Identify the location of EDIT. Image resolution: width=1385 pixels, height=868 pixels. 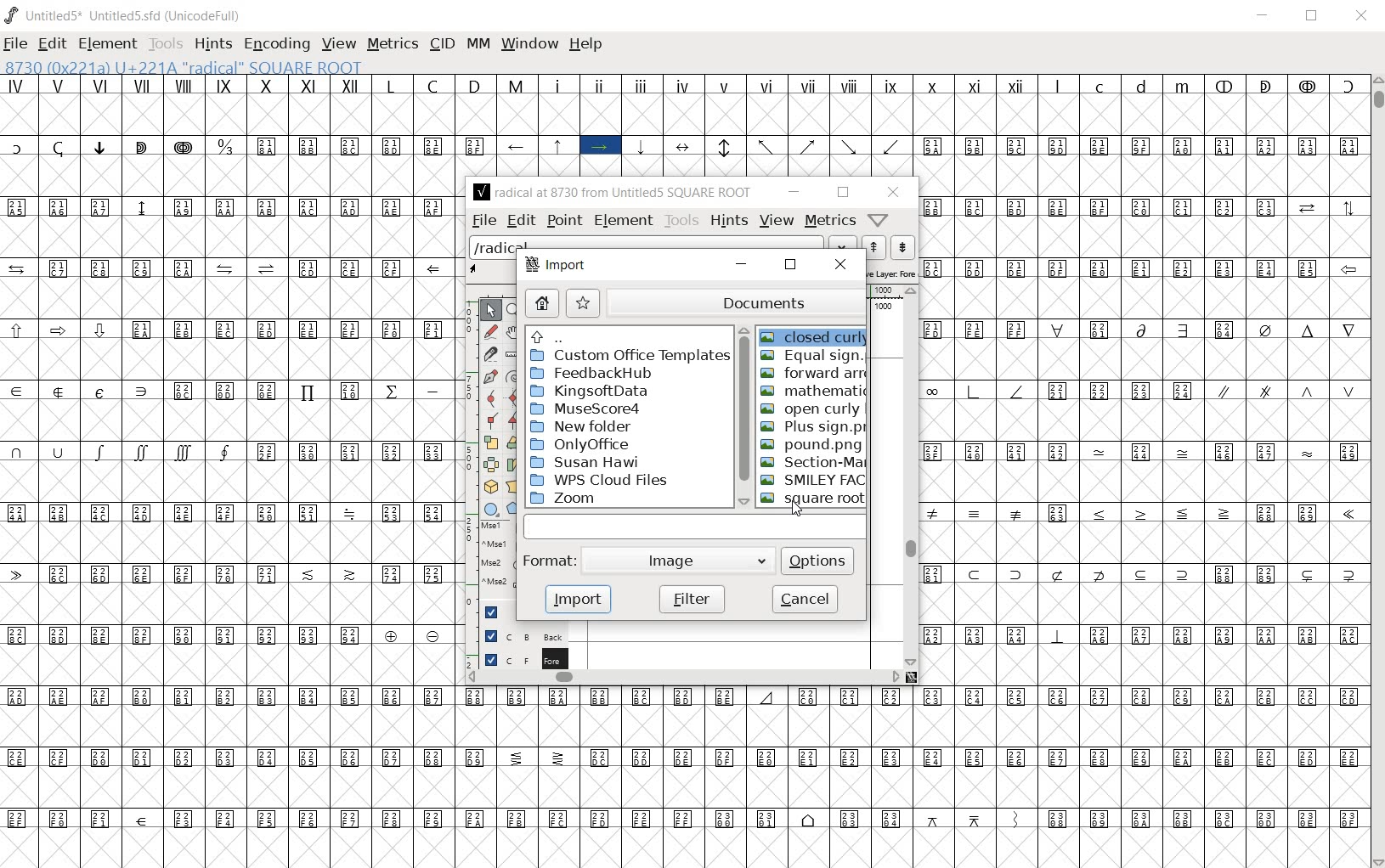
(50, 43).